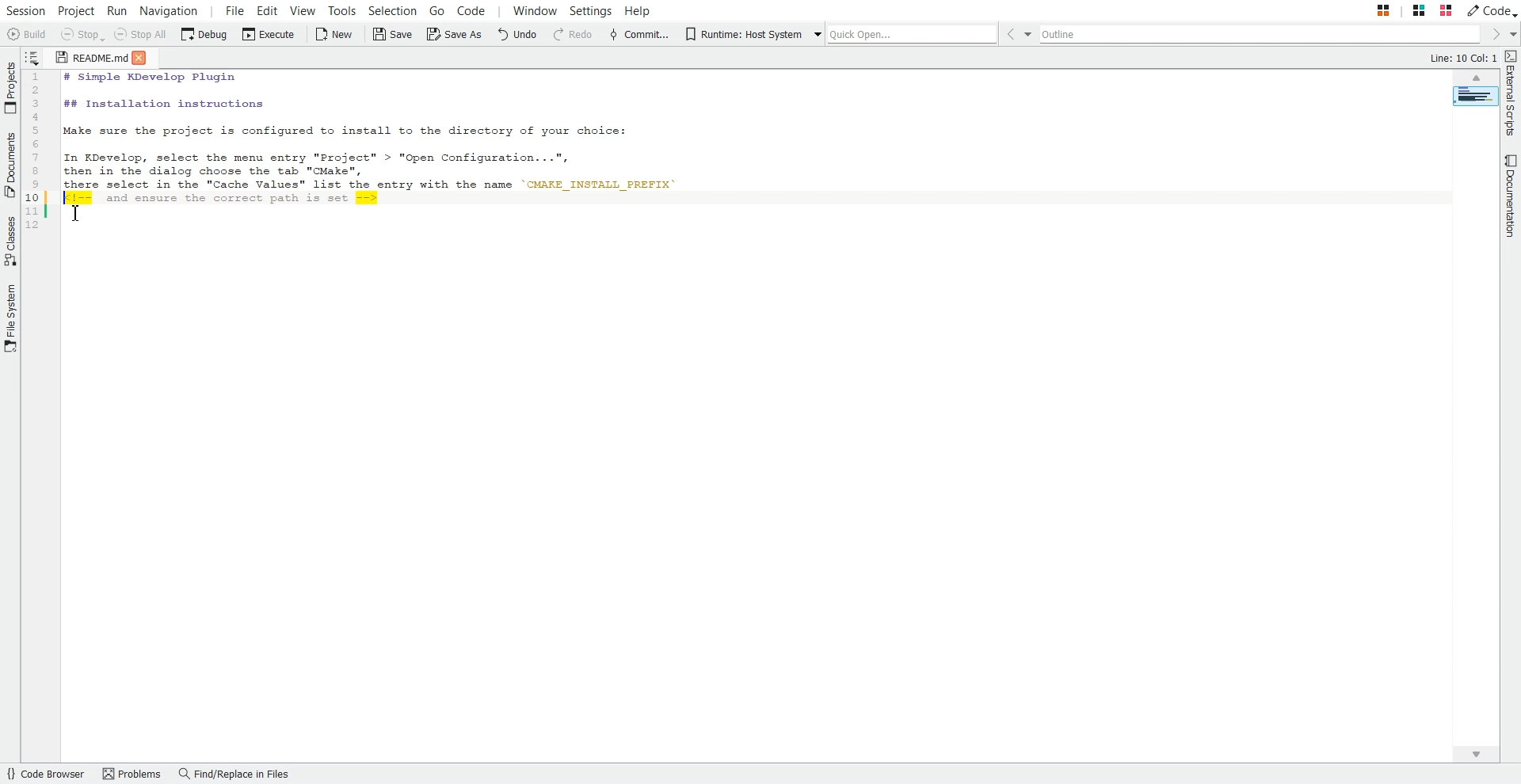 This screenshot has height=784, width=1521. I want to click on Selection, so click(394, 10).